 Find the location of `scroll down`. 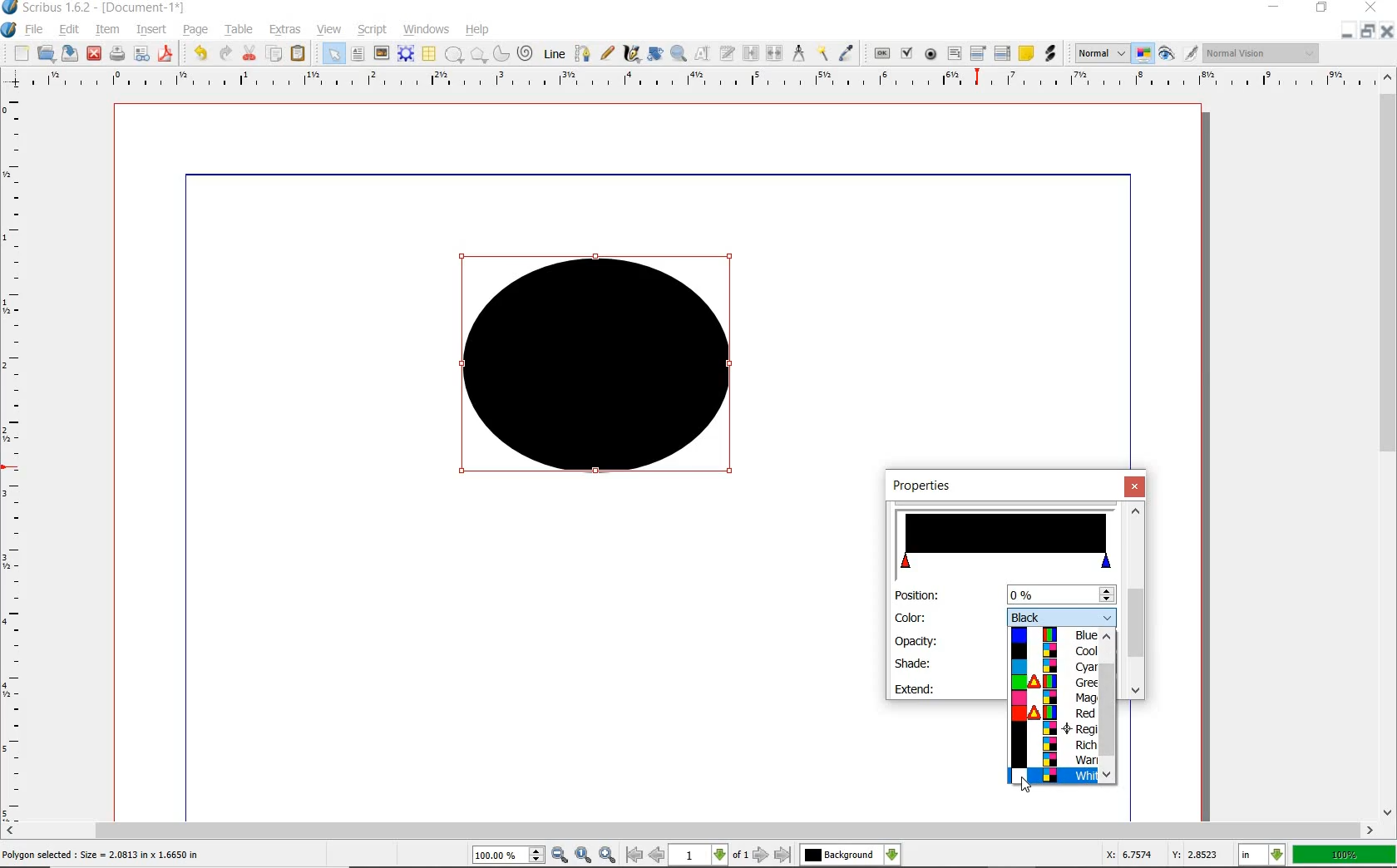

scroll down is located at coordinates (1134, 691).